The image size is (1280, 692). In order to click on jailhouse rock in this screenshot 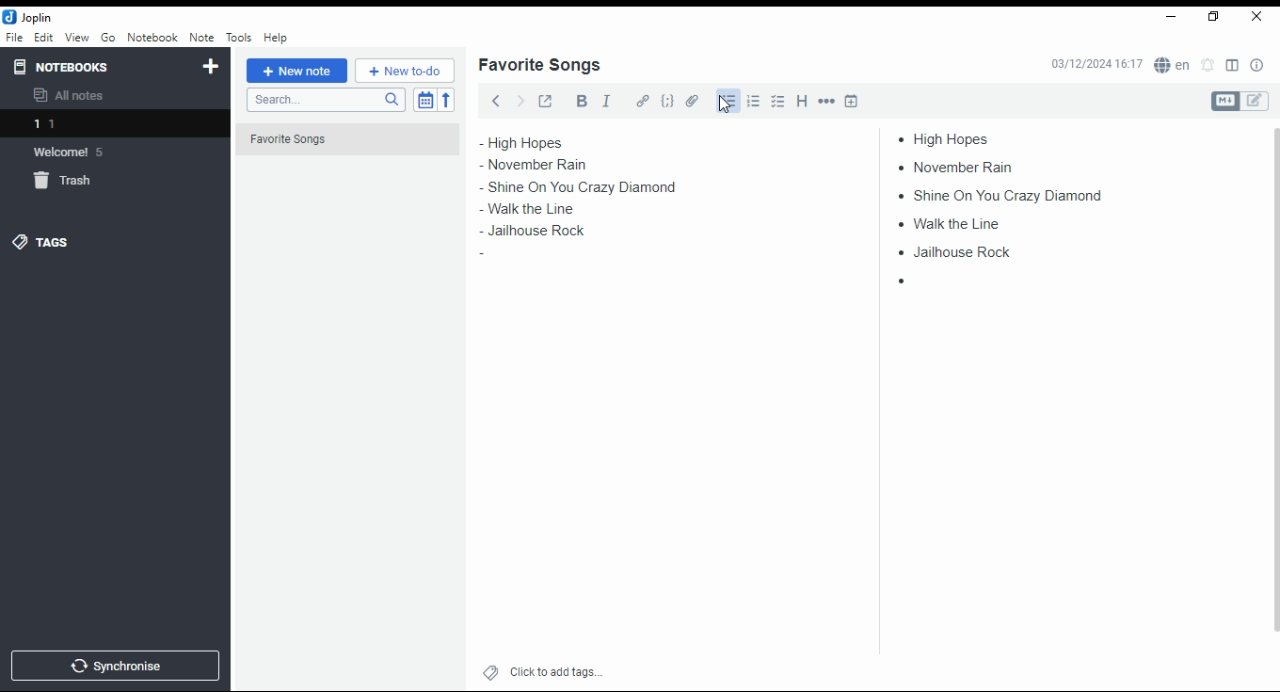, I will do `click(531, 234)`.